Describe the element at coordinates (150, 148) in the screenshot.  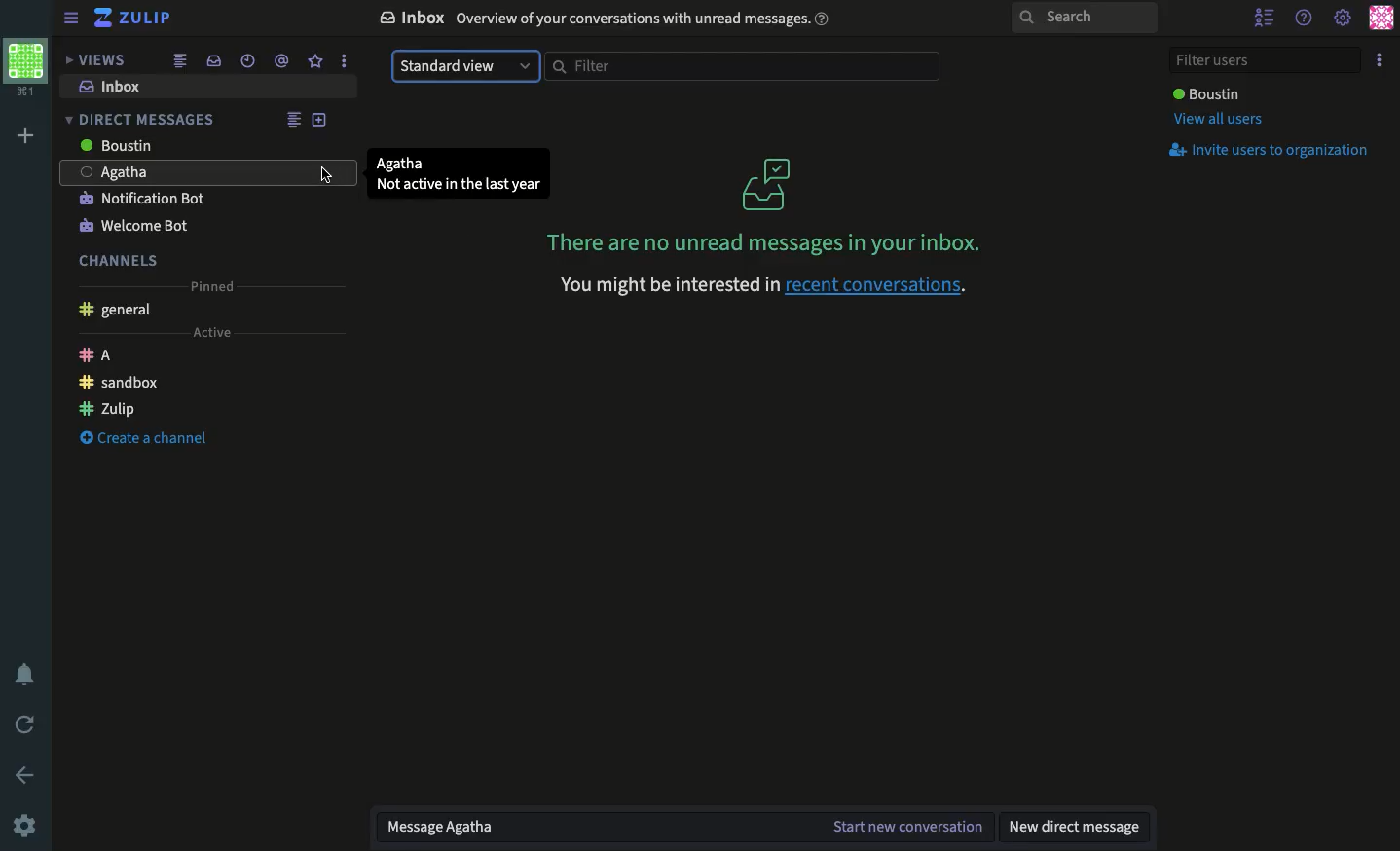
I see `Users` at that location.